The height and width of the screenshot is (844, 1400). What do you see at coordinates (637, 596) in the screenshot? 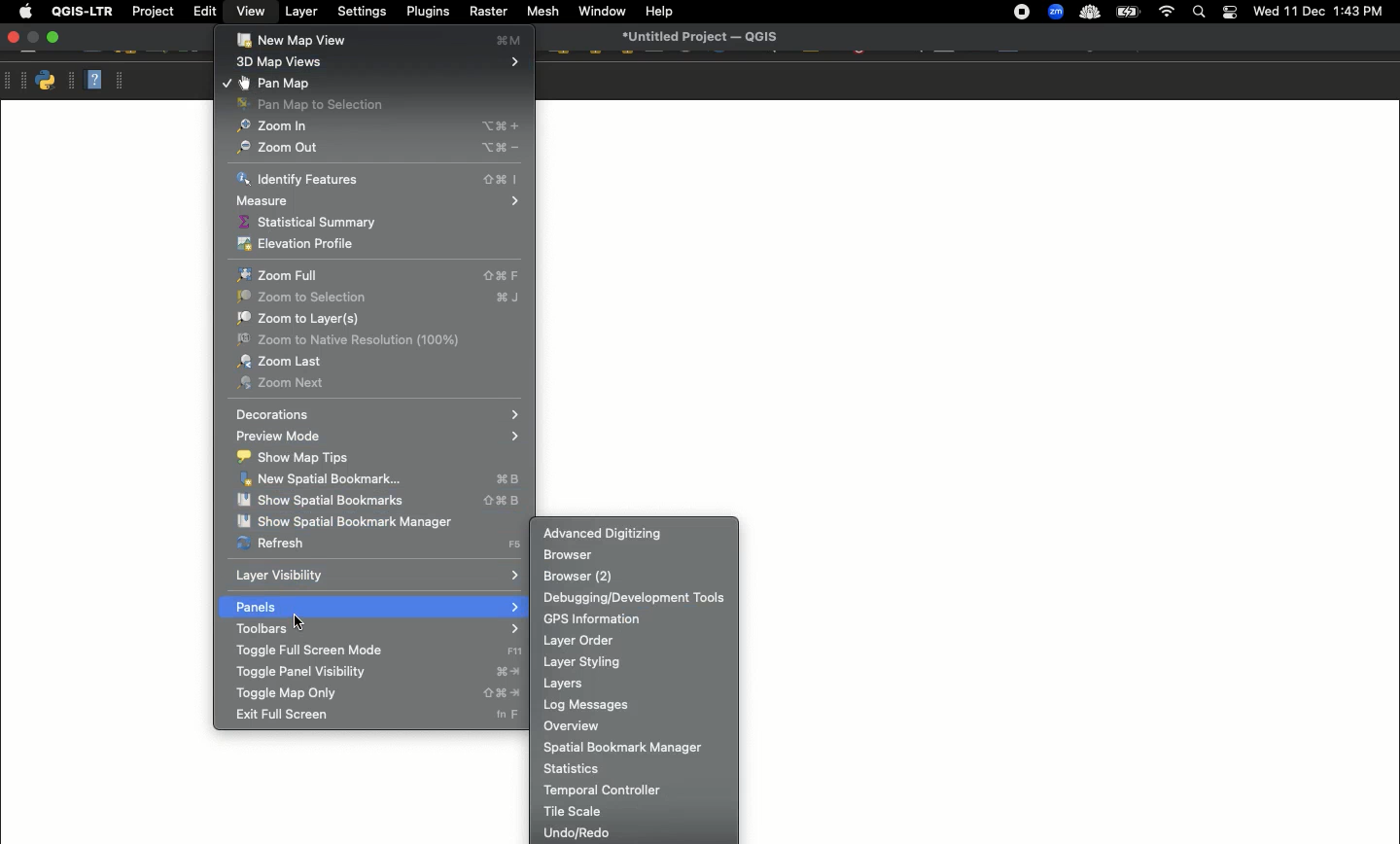
I see `Debugging development tools` at bounding box center [637, 596].